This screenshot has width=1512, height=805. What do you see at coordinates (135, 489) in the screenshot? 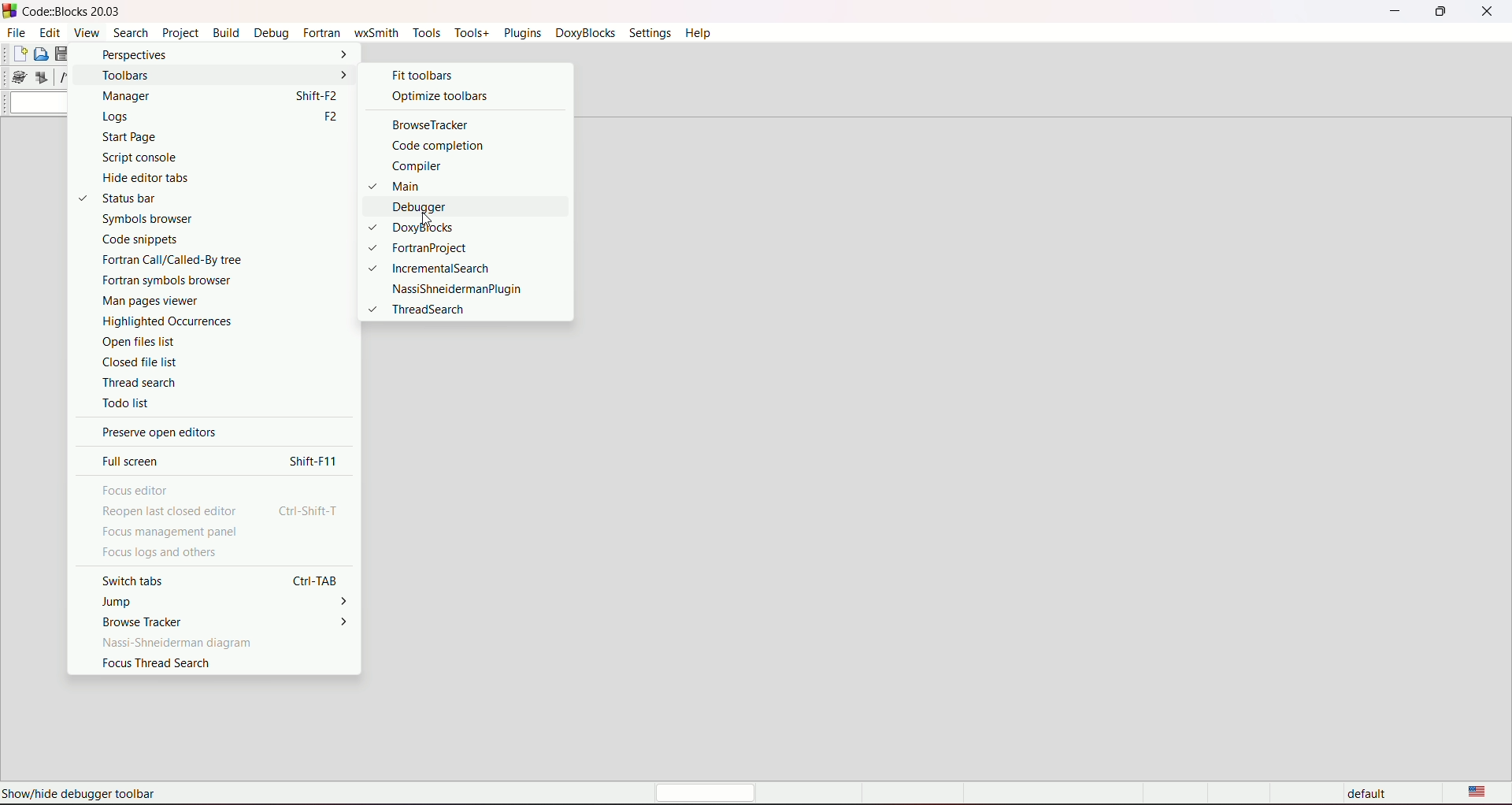
I see `focus editor` at bounding box center [135, 489].